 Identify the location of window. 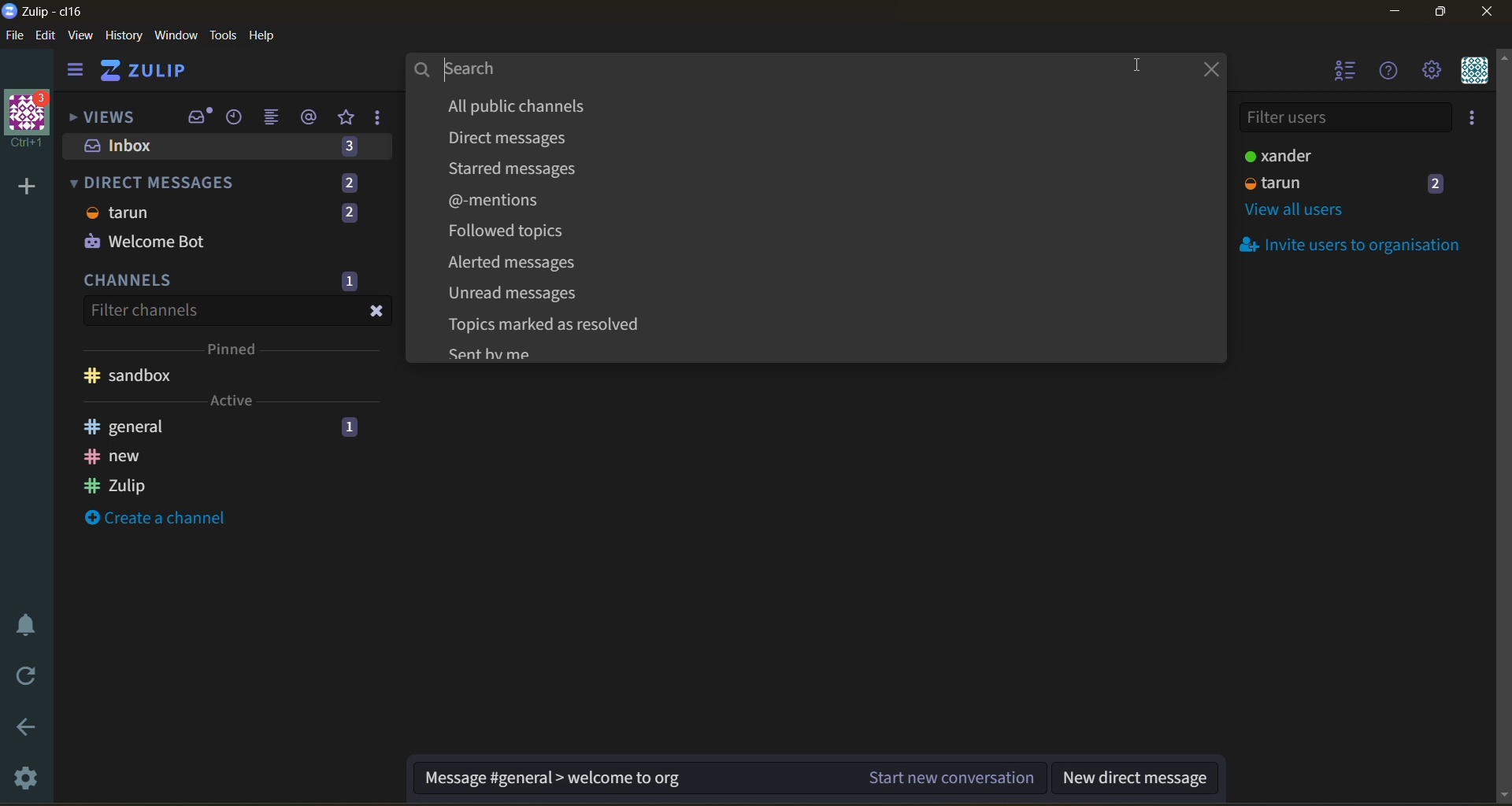
(176, 35).